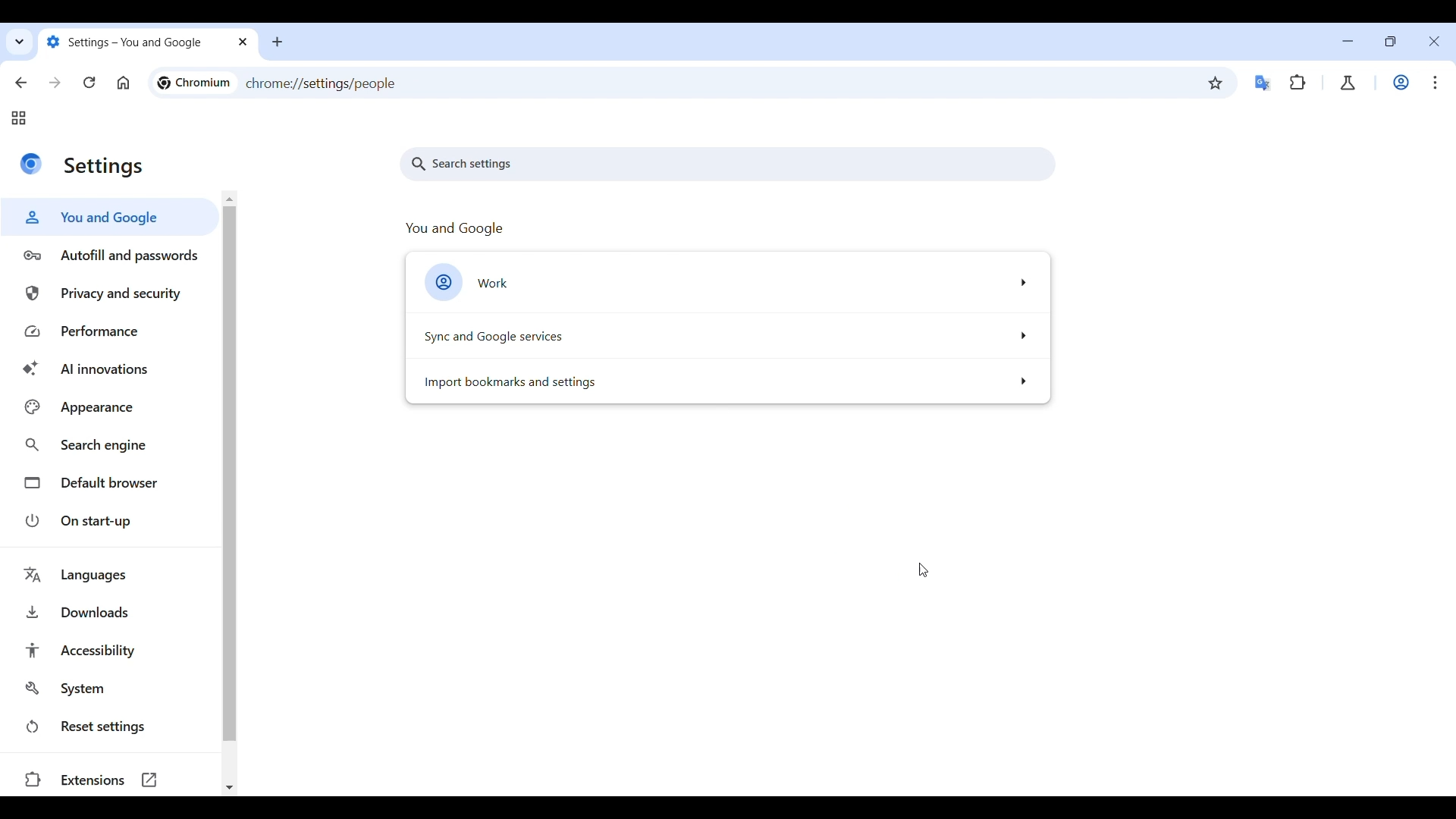 This screenshot has height=819, width=1456. Describe the element at coordinates (112, 368) in the screenshot. I see `AI innovations` at that location.